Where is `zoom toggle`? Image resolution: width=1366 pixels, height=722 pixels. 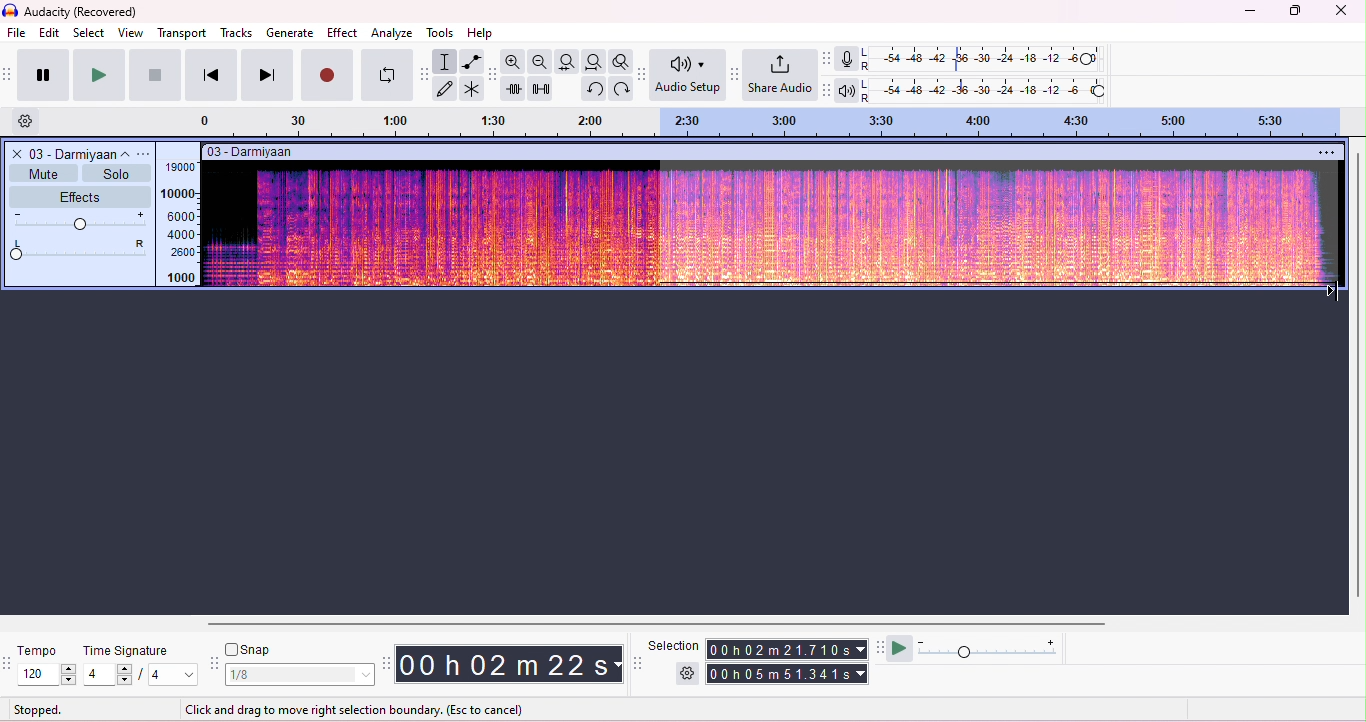
zoom toggle is located at coordinates (618, 61).